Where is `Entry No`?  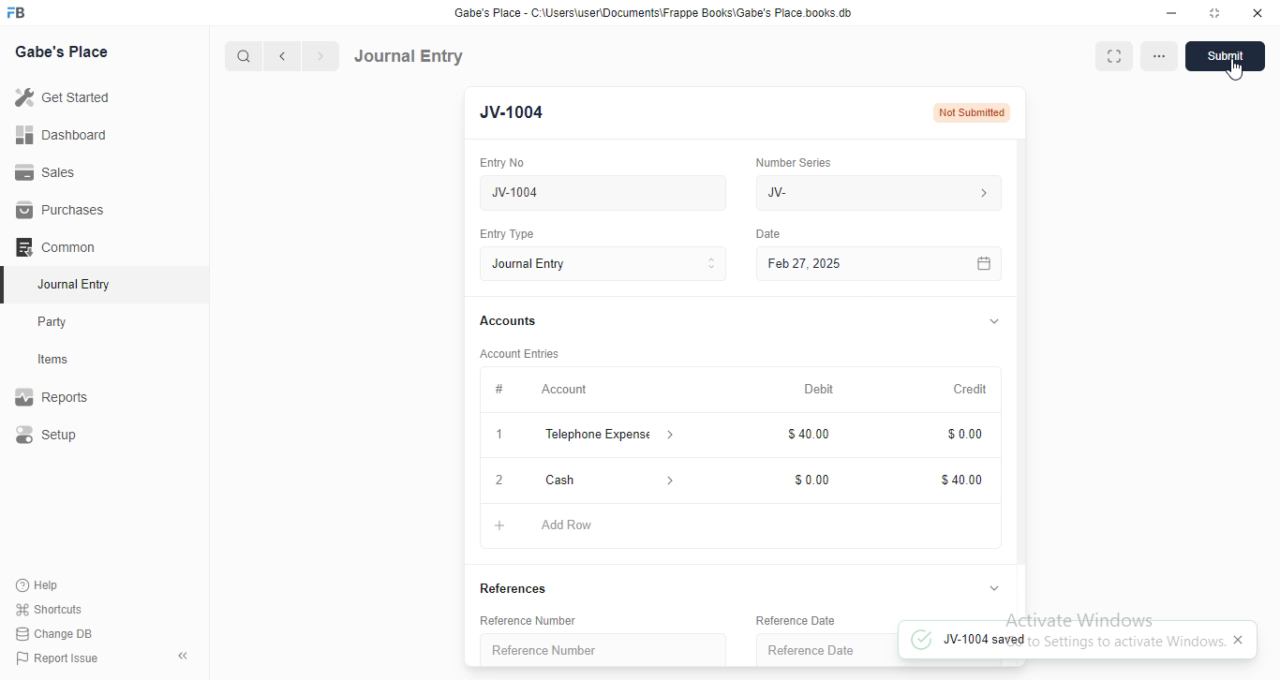
Entry No is located at coordinates (500, 161).